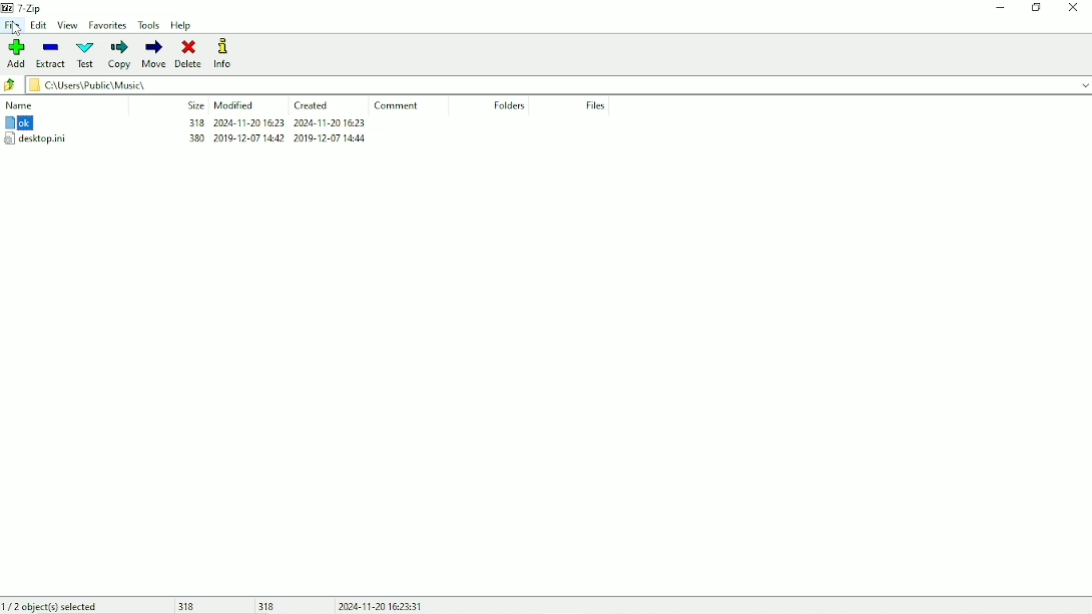 The height and width of the screenshot is (614, 1092). What do you see at coordinates (186, 141) in the screenshot?
I see `desktop.ini` at bounding box center [186, 141].